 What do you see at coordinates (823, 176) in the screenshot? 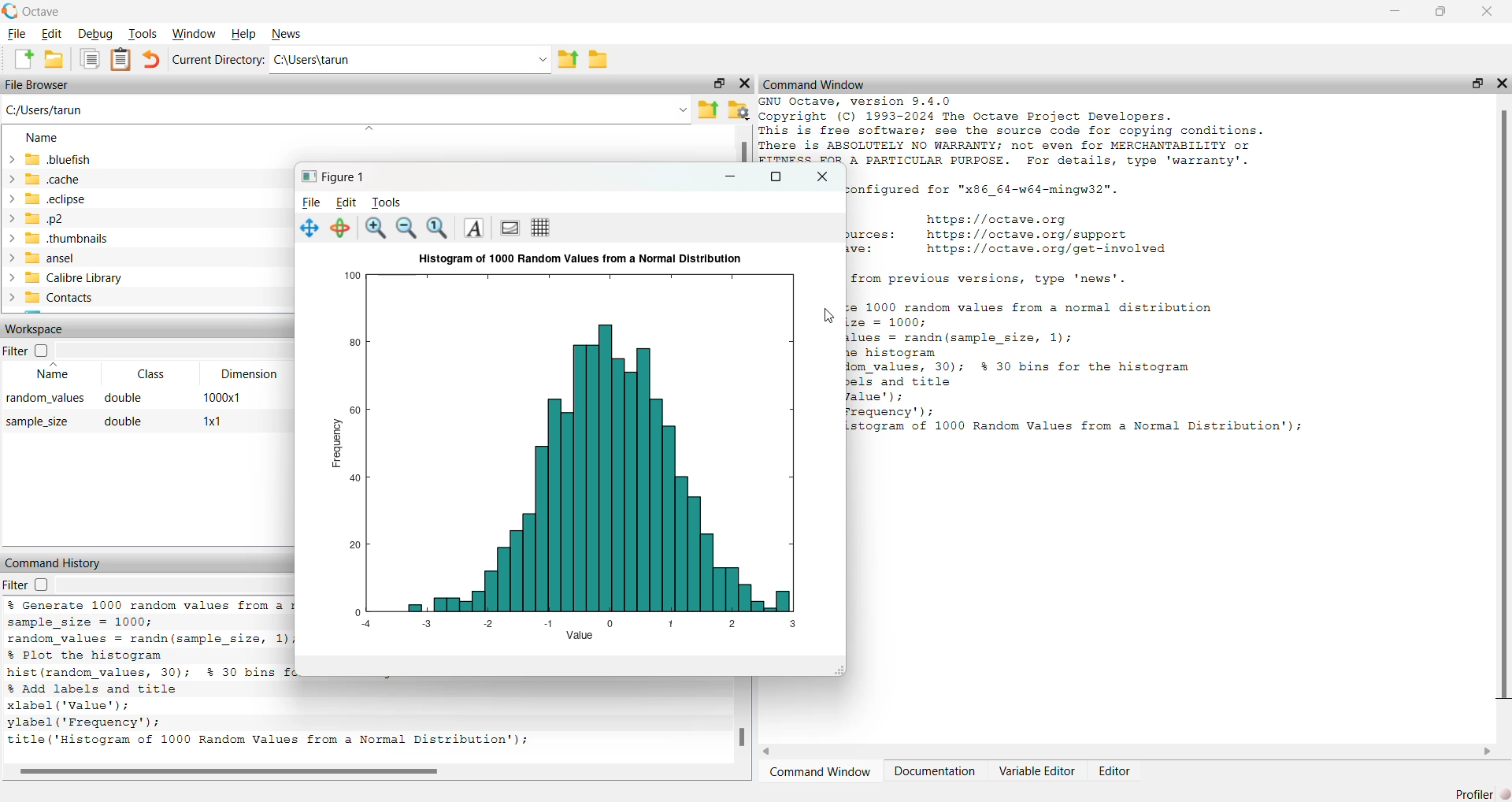
I see `close` at bounding box center [823, 176].